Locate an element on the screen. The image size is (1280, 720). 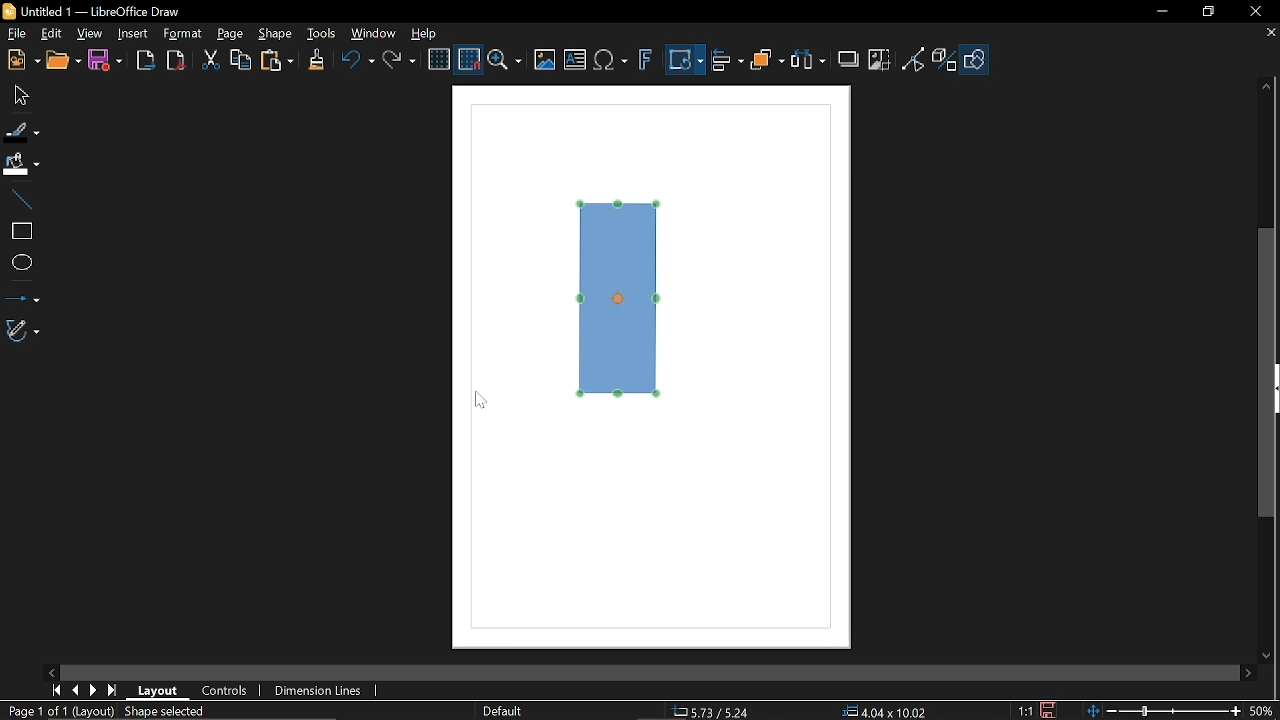
Export as pdf is located at coordinates (175, 61).